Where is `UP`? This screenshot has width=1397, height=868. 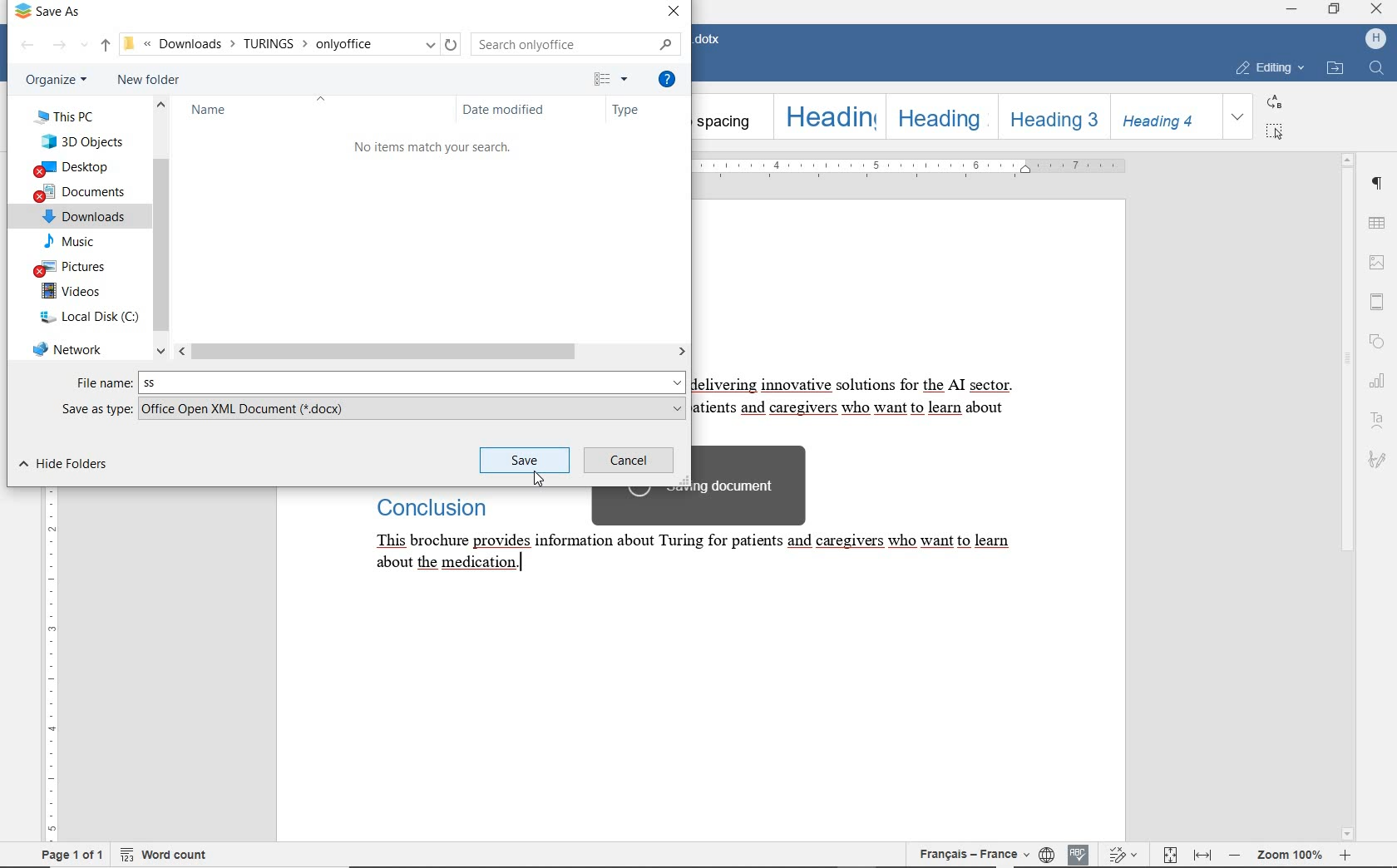
UP is located at coordinates (106, 46).